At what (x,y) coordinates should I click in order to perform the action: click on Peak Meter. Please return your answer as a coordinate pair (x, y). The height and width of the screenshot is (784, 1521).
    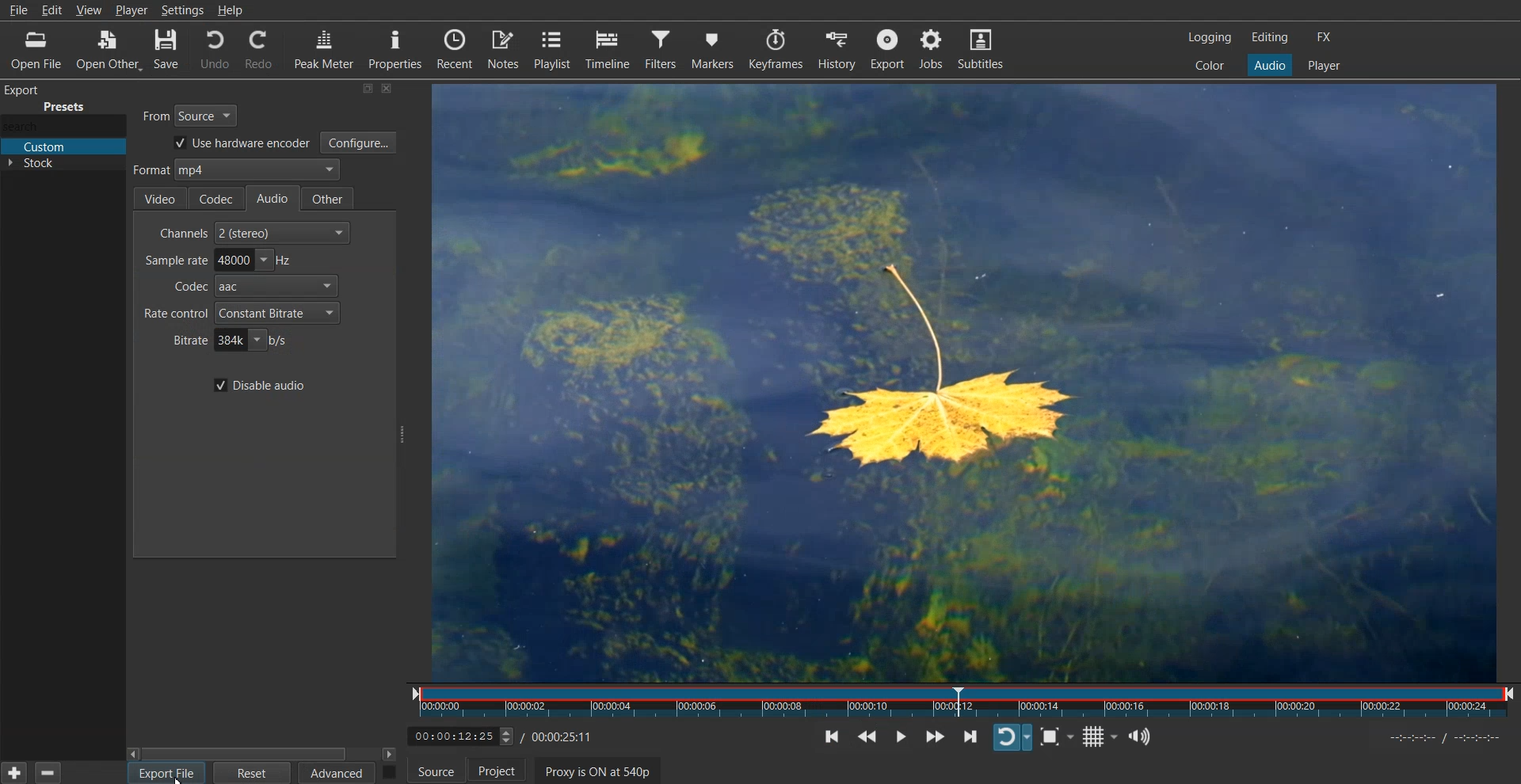
    Looking at the image, I should click on (322, 49).